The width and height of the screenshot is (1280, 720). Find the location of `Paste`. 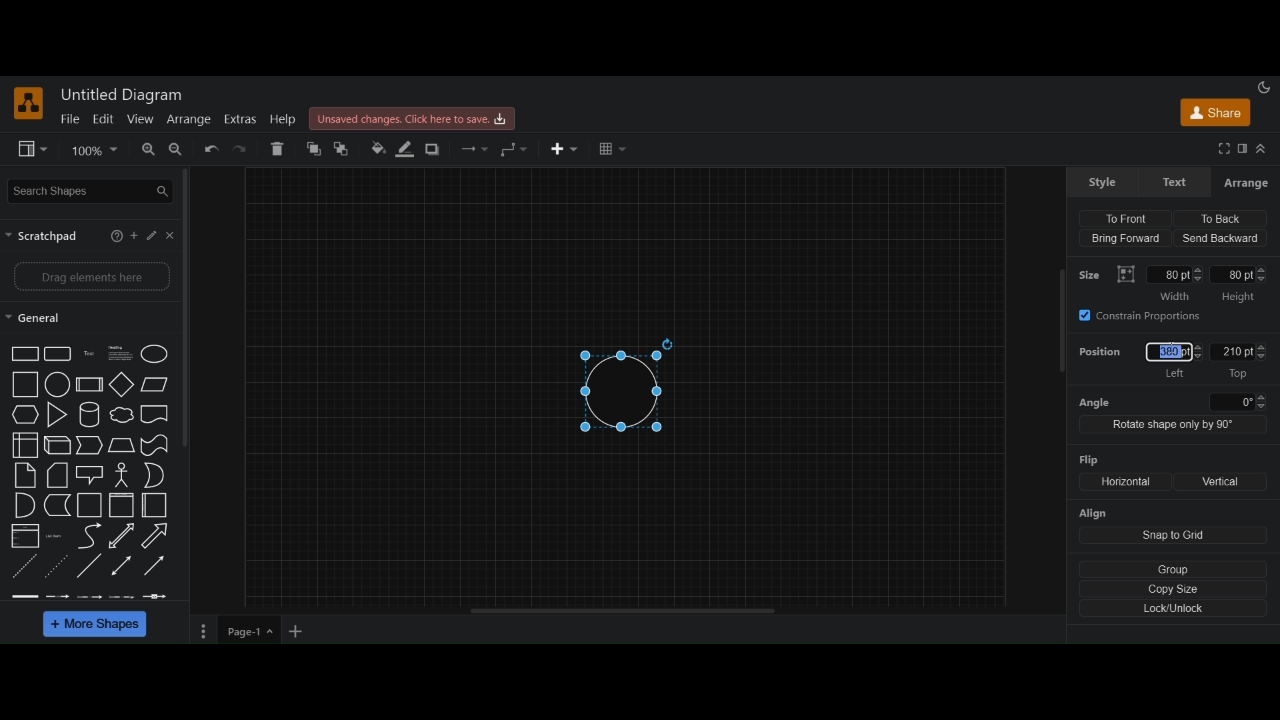

Paste is located at coordinates (58, 475).